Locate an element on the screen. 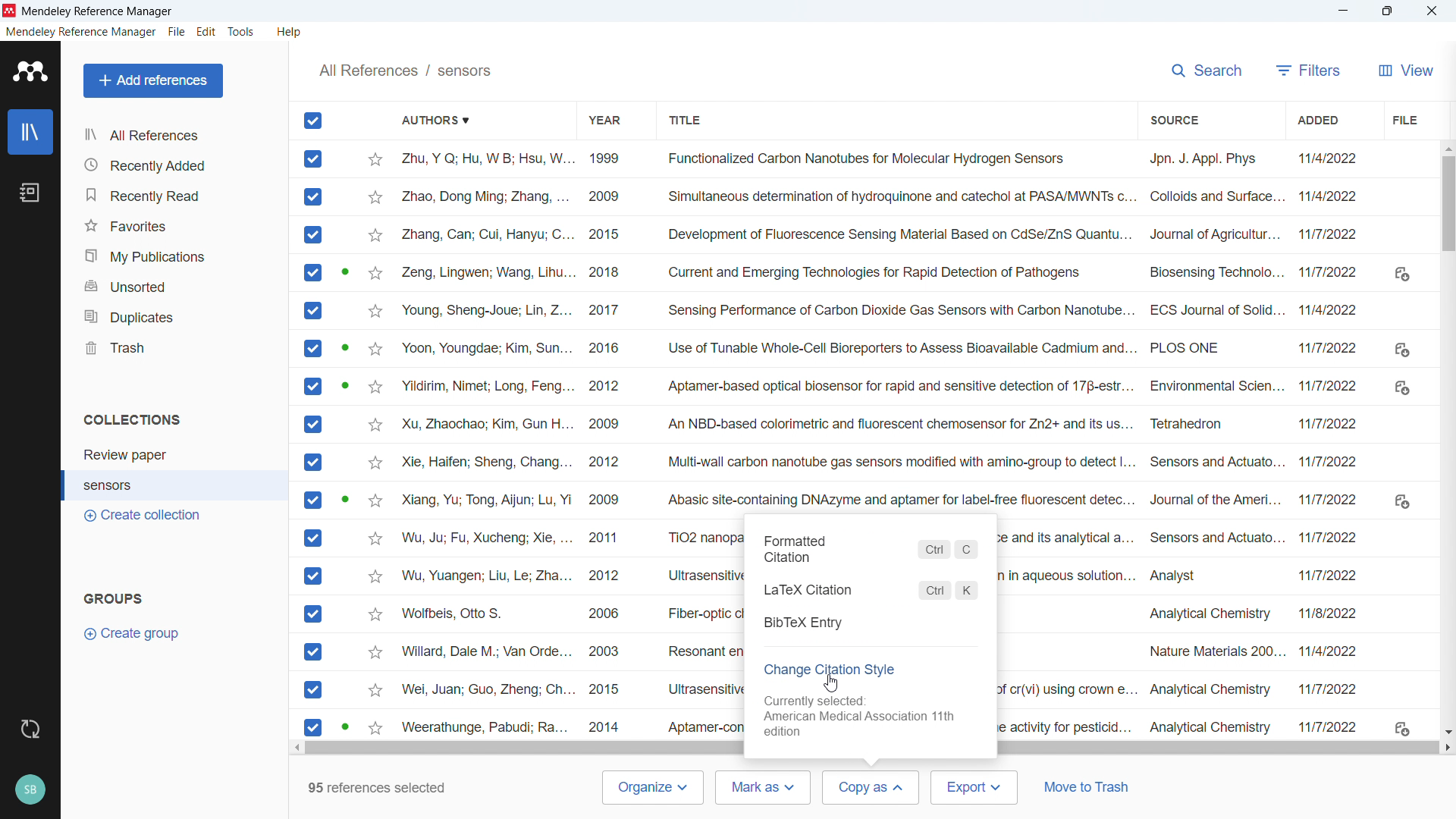  minimise  is located at coordinates (1344, 11).